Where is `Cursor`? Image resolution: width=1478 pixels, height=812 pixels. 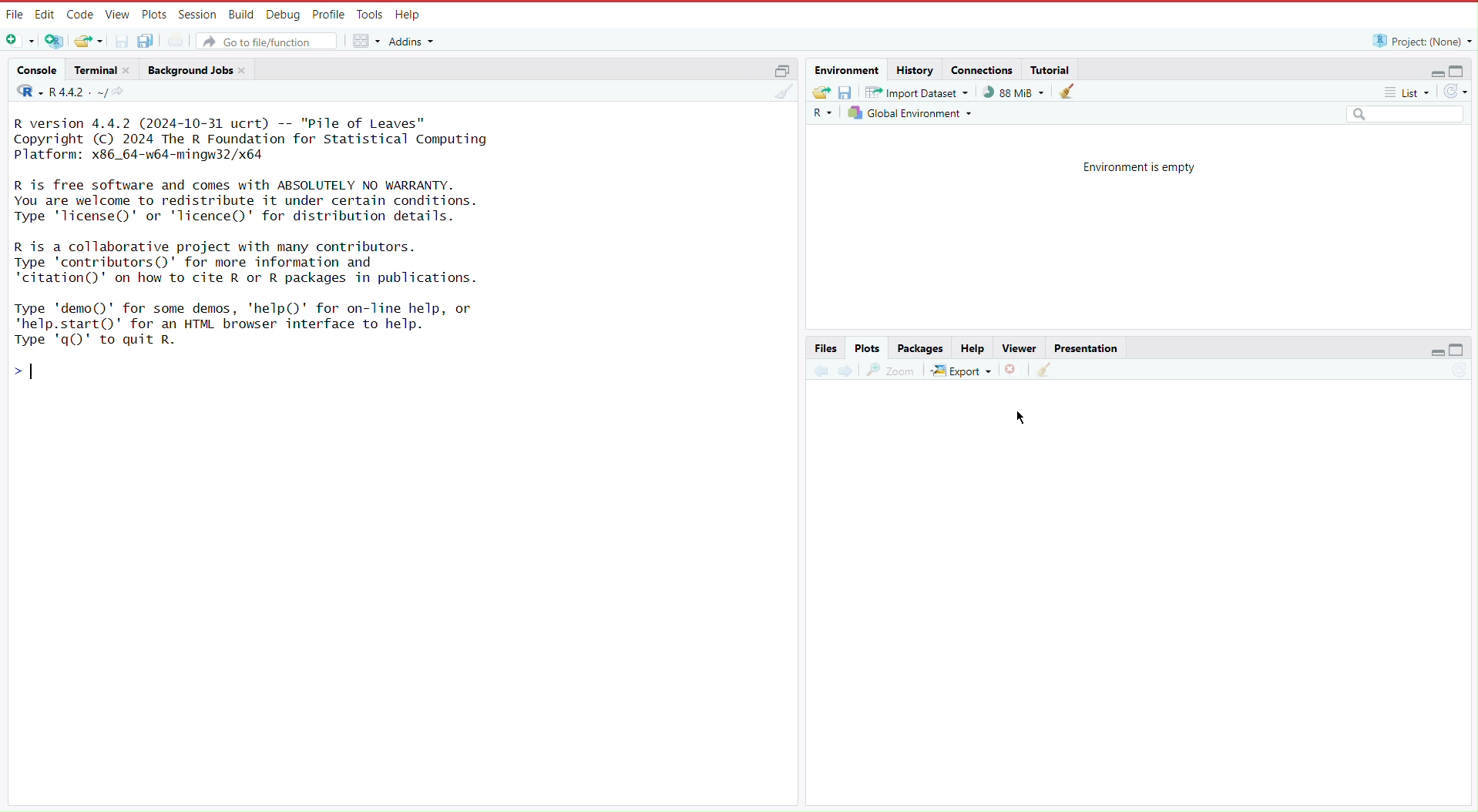
Cursor is located at coordinates (1026, 415).